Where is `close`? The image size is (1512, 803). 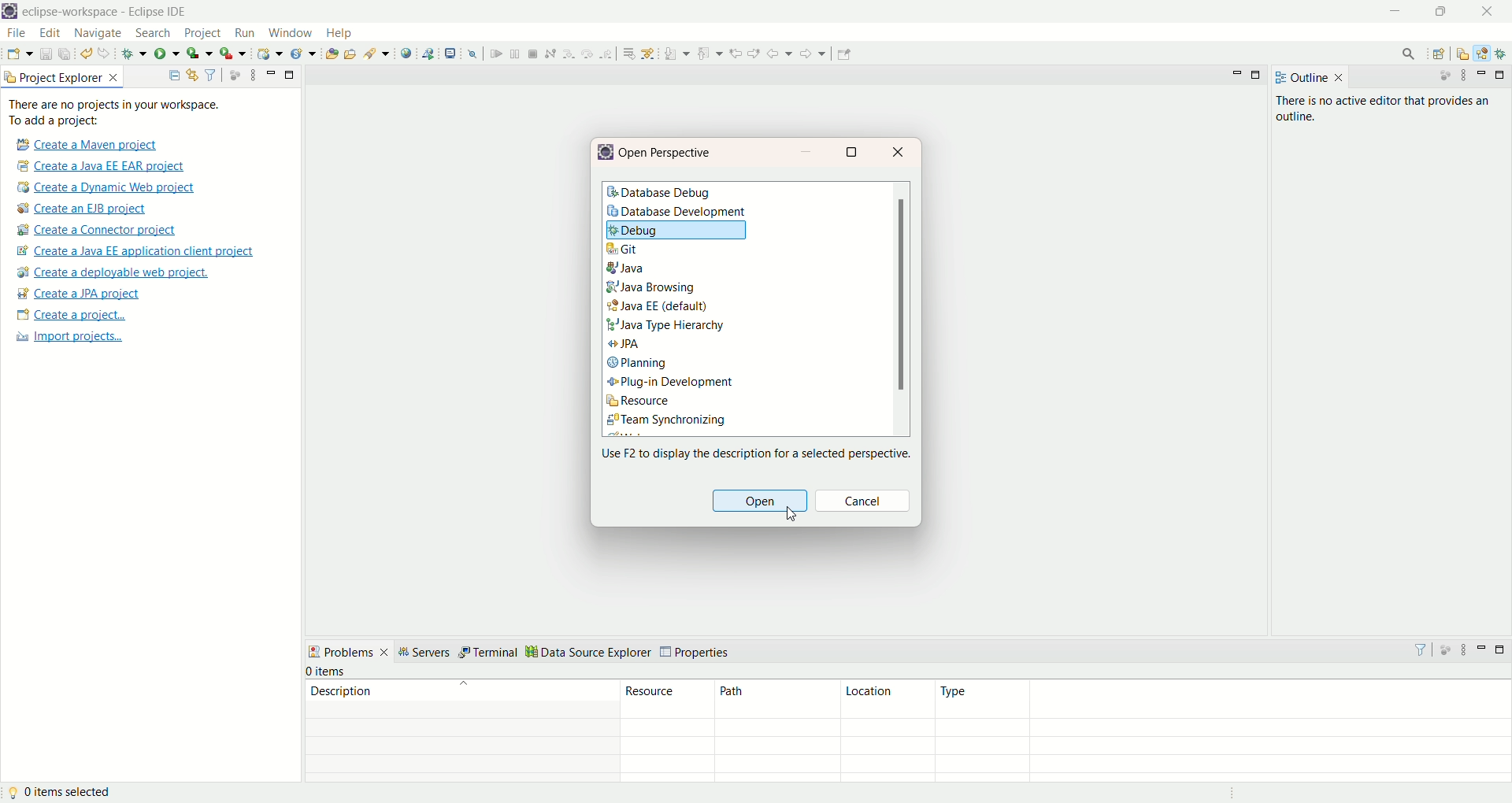
close is located at coordinates (899, 153).